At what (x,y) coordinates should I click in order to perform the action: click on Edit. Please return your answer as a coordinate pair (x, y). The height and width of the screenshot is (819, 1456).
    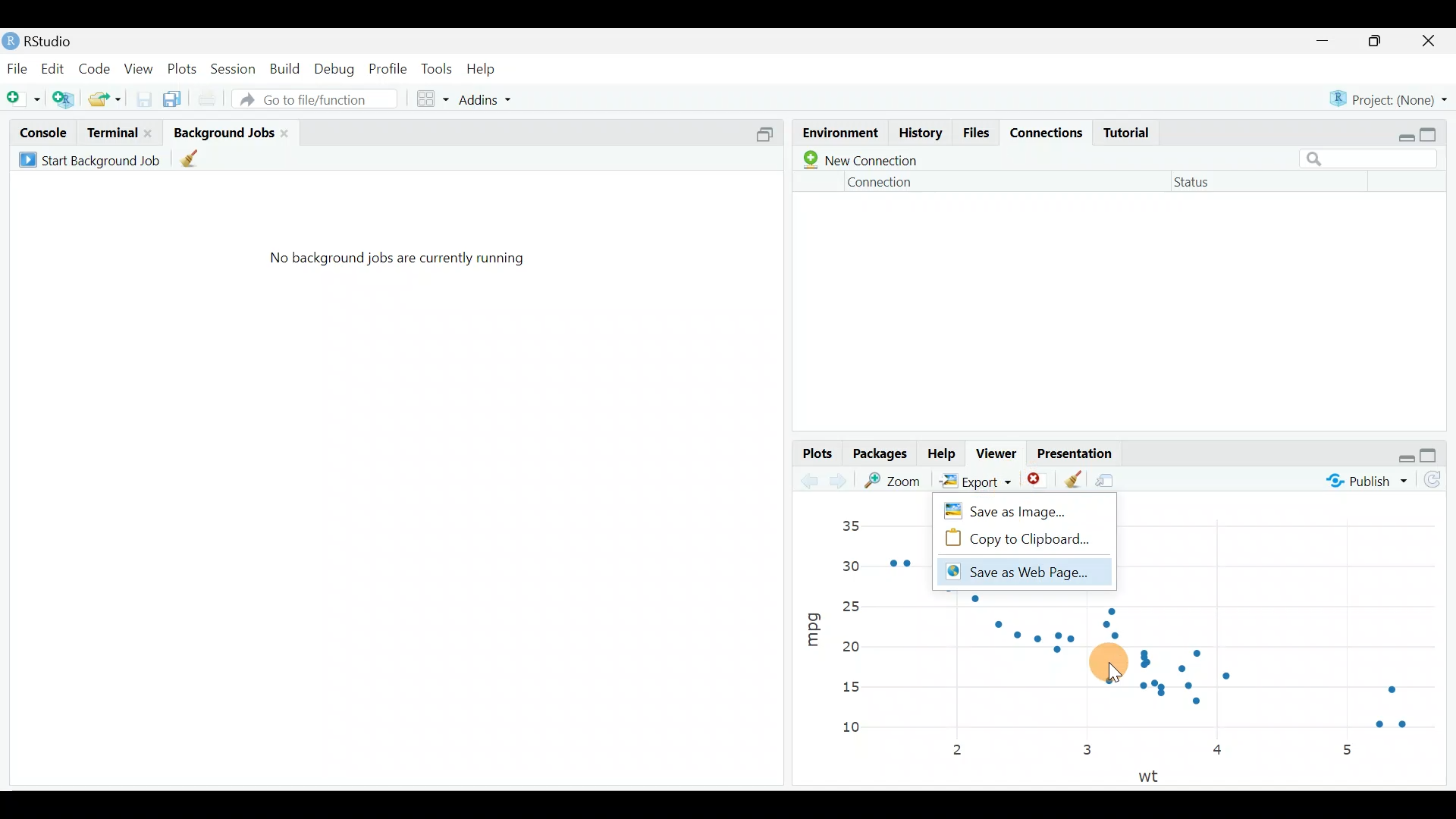
    Looking at the image, I should click on (52, 67).